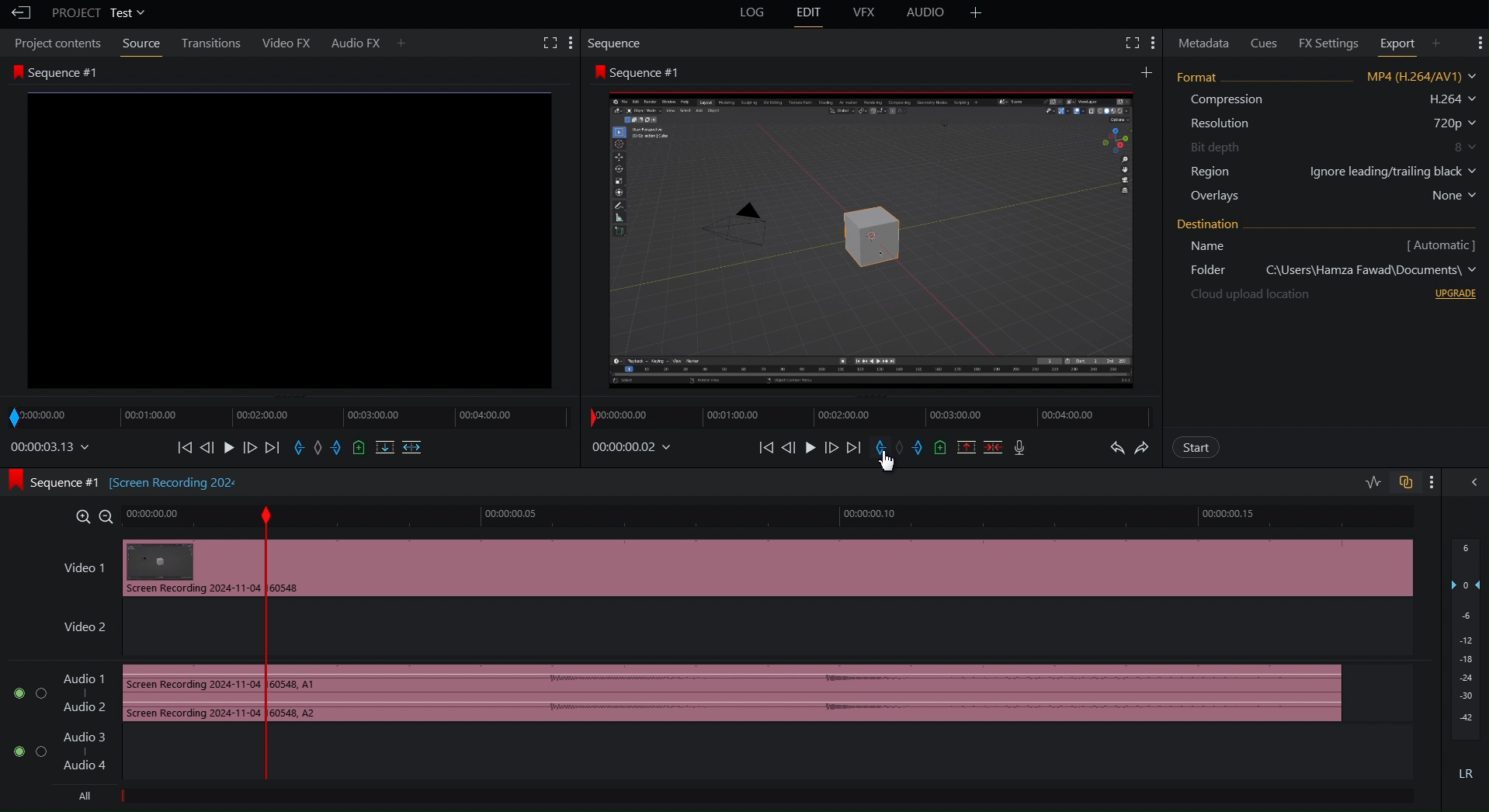 Image resolution: width=1489 pixels, height=812 pixels. I want to click on Marker Placed, so click(266, 637).